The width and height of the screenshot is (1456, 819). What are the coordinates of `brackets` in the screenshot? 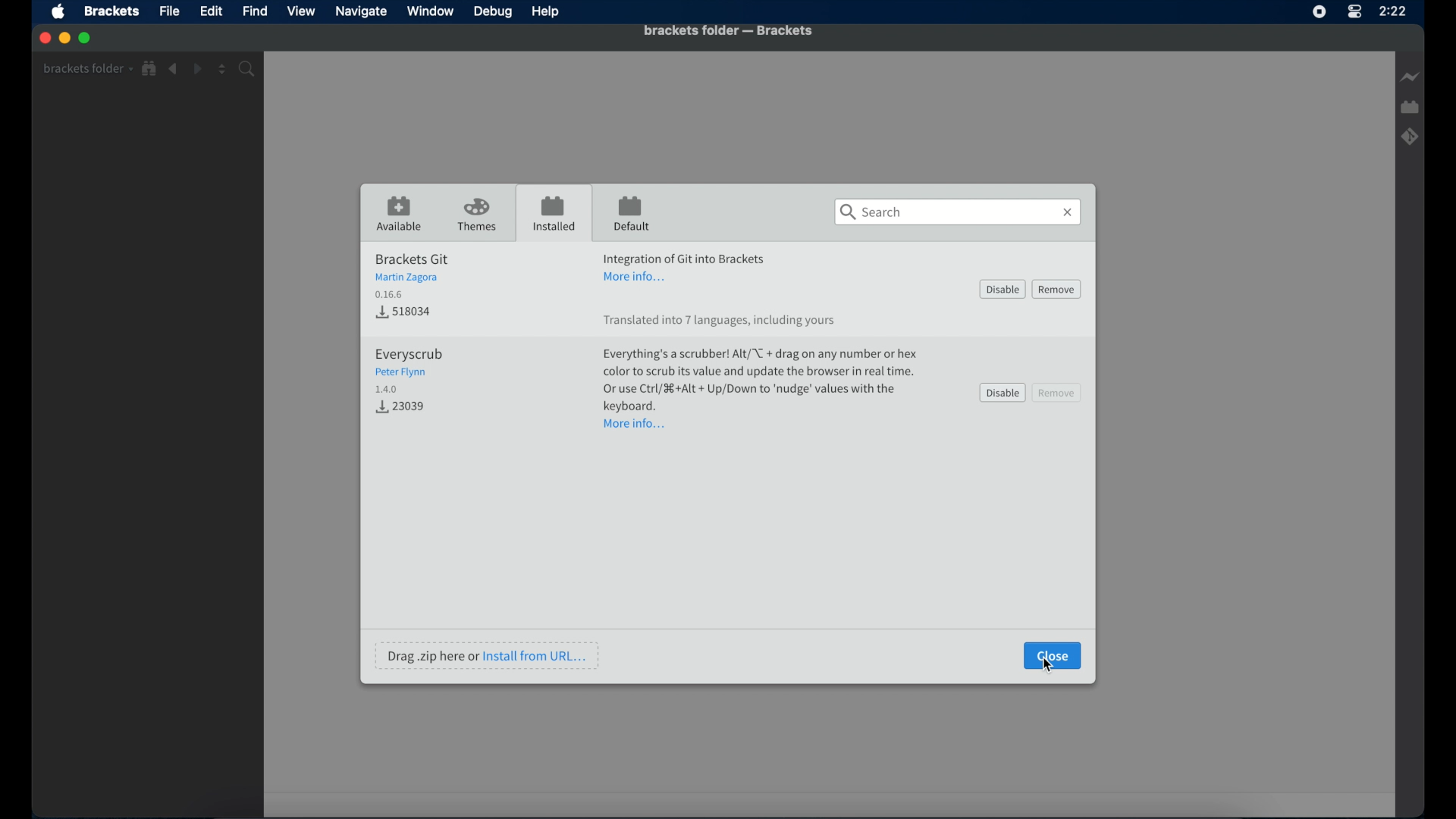 It's located at (111, 12).